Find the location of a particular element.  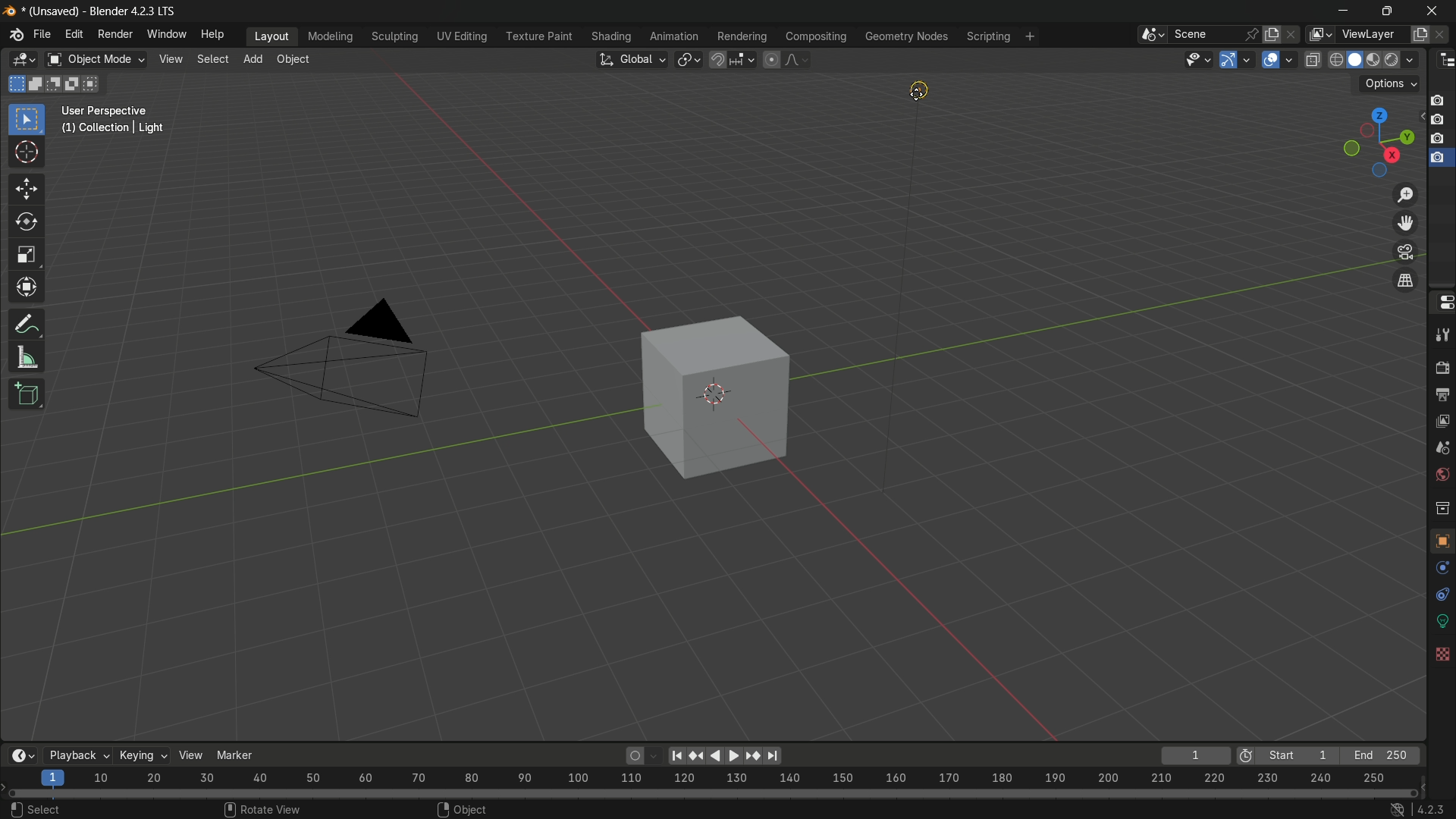

light is located at coordinates (931, 92).